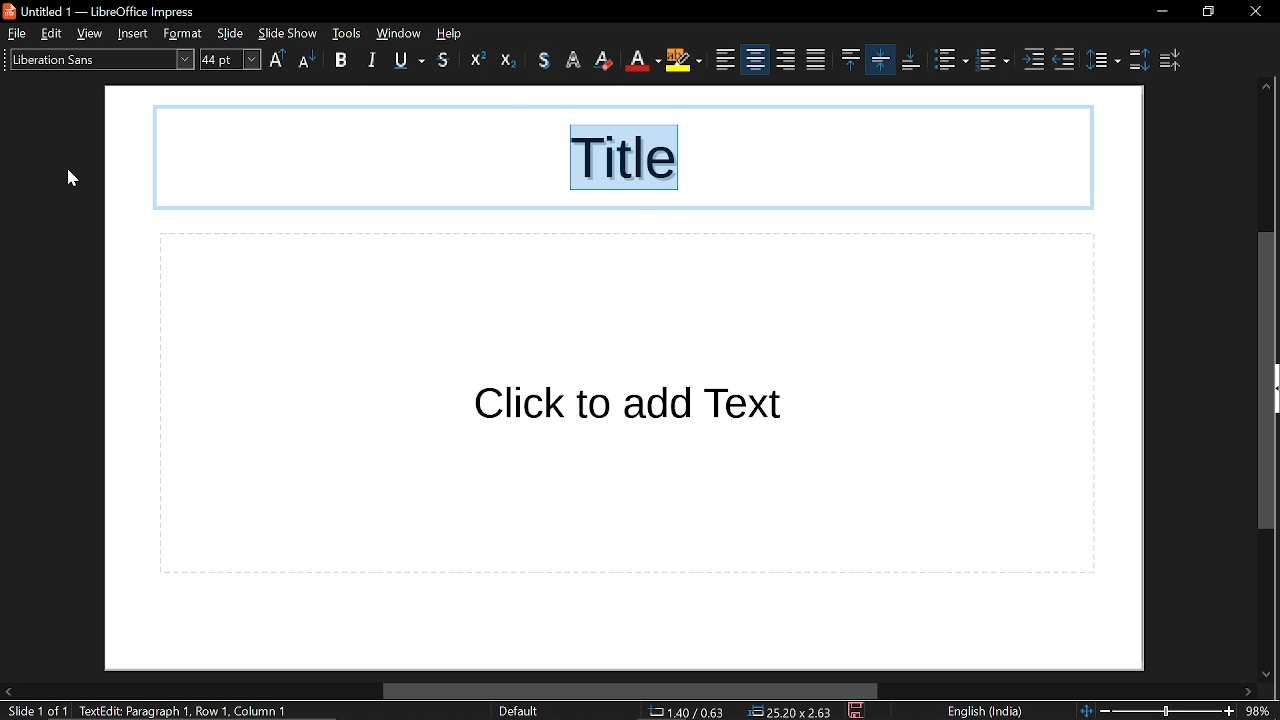 The height and width of the screenshot is (720, 1280). Describe the element at coordinates (374, 59) in the screenshot. I see `italic` at that location.